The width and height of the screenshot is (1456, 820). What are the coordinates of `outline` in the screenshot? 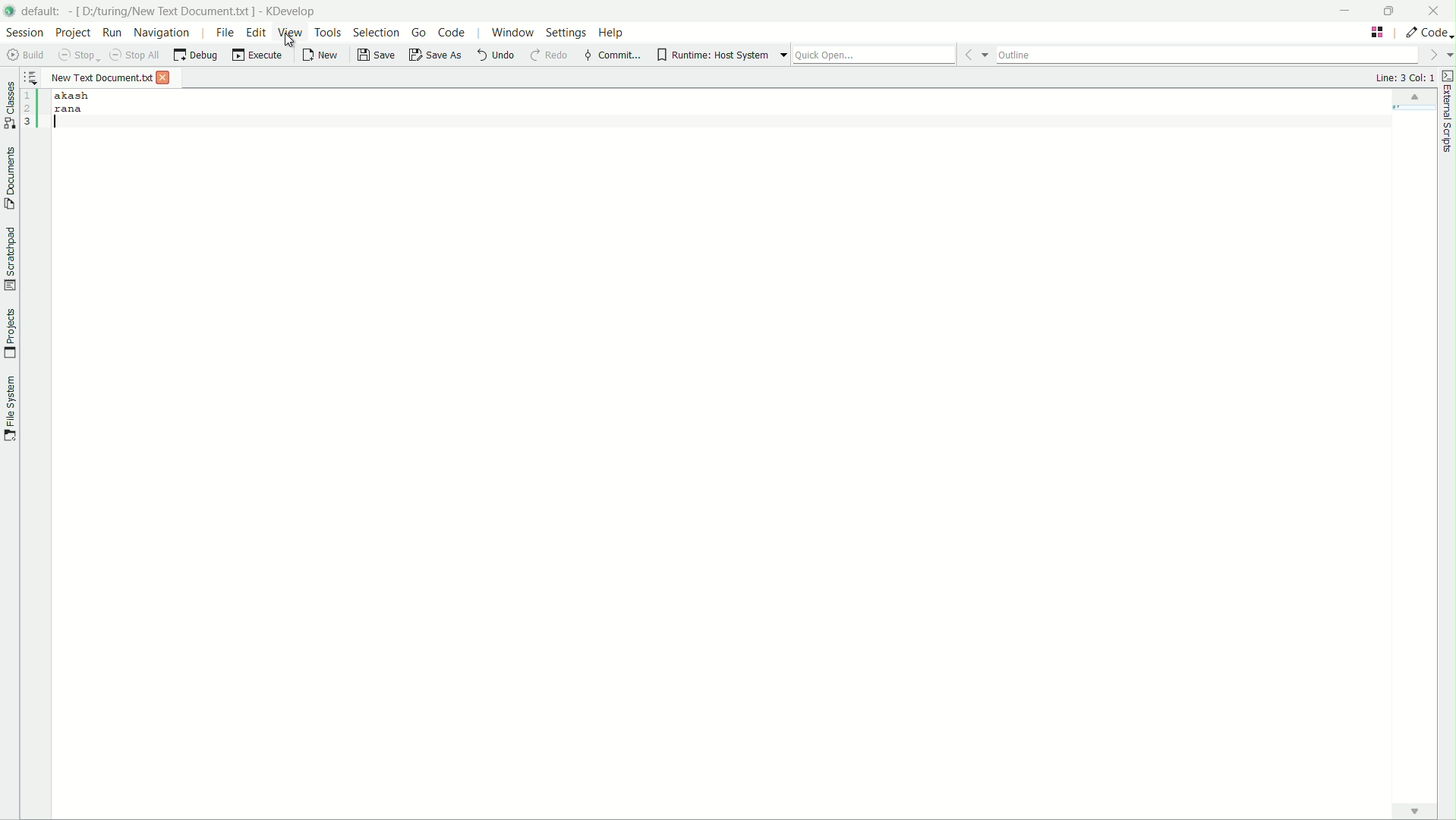 It's located at (1208, 54).